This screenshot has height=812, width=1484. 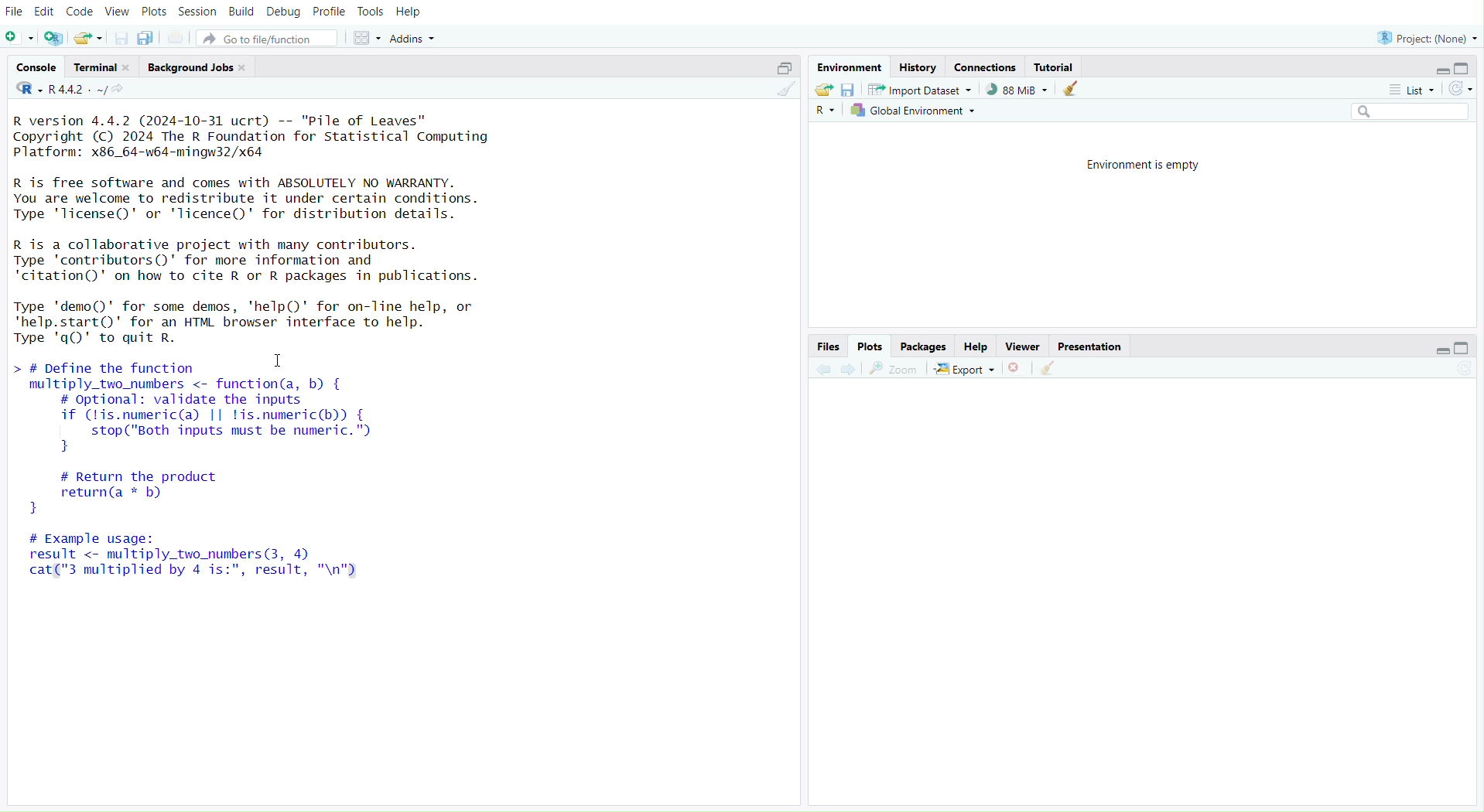 I want to click on R version 4.4.2 (2024-10-31 ucrt) -- "Pile of Leaves”
Copyright (C) 2024 The R Foundation for Statistical Computing
Platform: x86_64-w64-mingw32/x64

R is free software and comes with ABSOLUTELY NO WARRANTY.
You are welcome to redistribute it under certain conditions.
Type 'license()' or 'licence()' for distribution details.

R is a collaborative project with many contributors.

Type 'contributors()' for more information and

‘citation()' on how to cite R or R packages in publications.
Type 'demo()' for some demos, 'help()' for on-line help, or
'help.start()' for an HTML browser interface to help.

Type 'qQ)' to quit R.

NY I, so click(x=274, y=227).